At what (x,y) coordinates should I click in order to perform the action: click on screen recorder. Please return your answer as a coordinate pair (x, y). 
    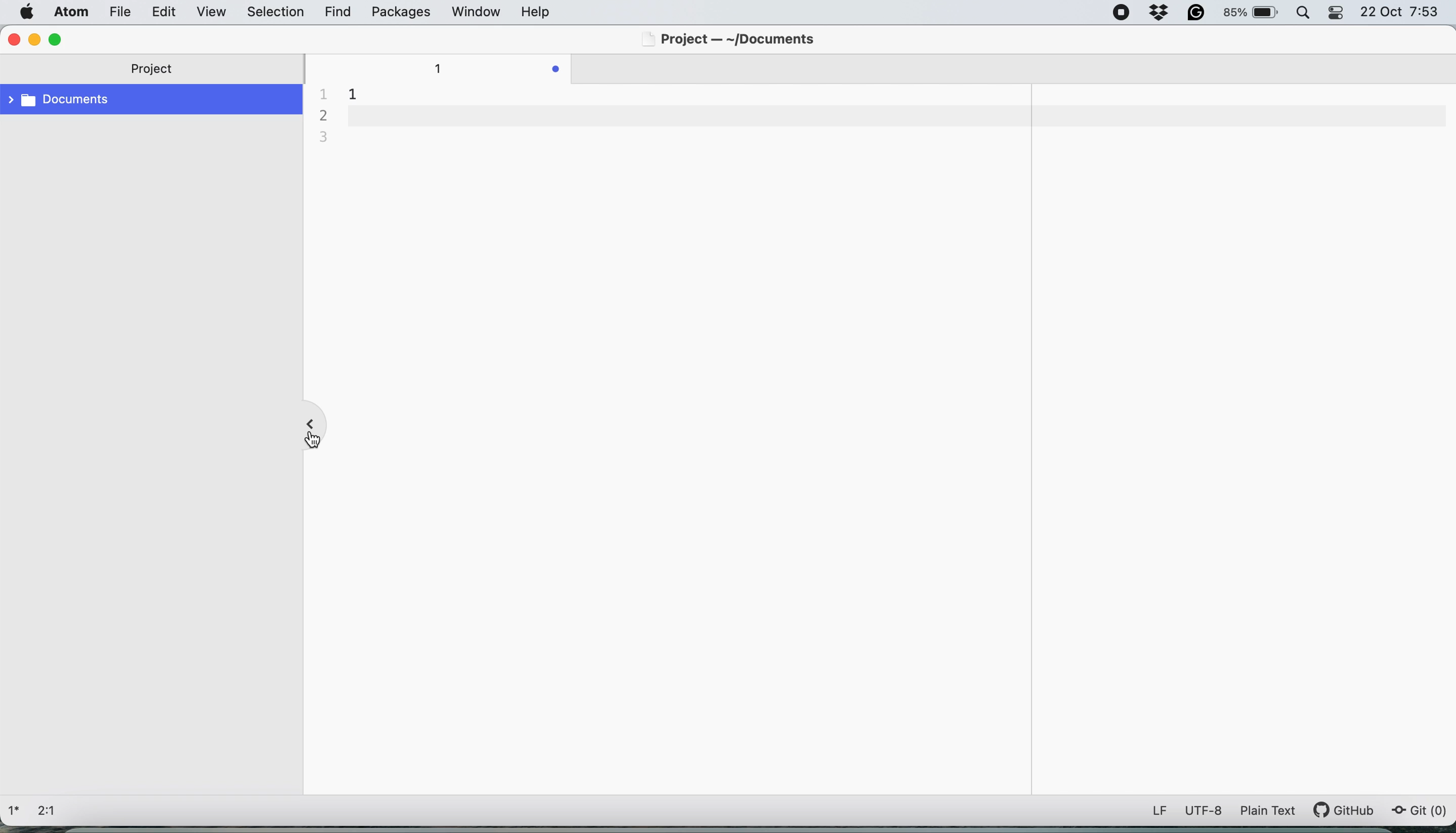
    Looking at the image, I should click on (1121, 12).